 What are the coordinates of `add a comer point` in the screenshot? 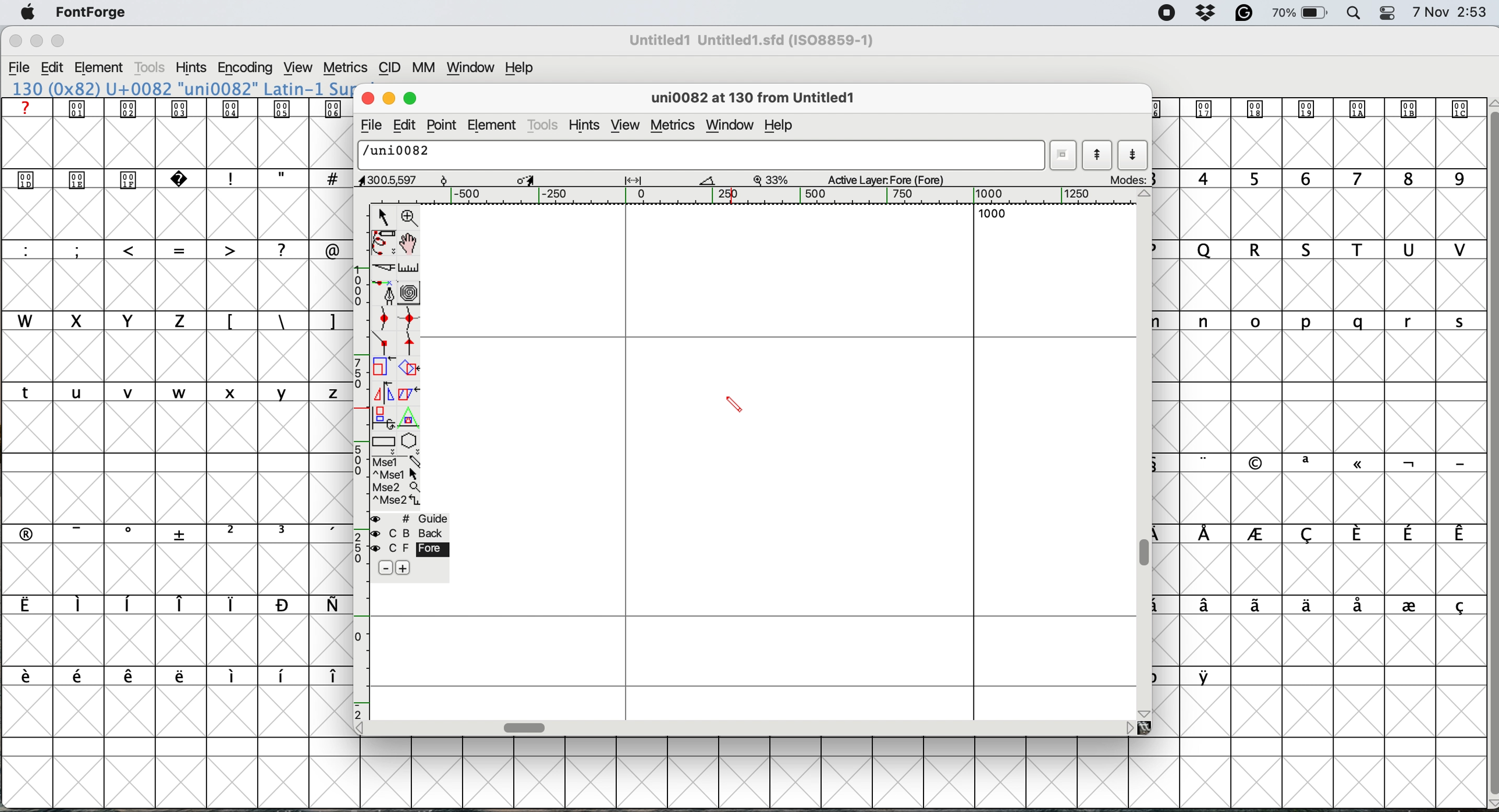 It's located at (385, 345).